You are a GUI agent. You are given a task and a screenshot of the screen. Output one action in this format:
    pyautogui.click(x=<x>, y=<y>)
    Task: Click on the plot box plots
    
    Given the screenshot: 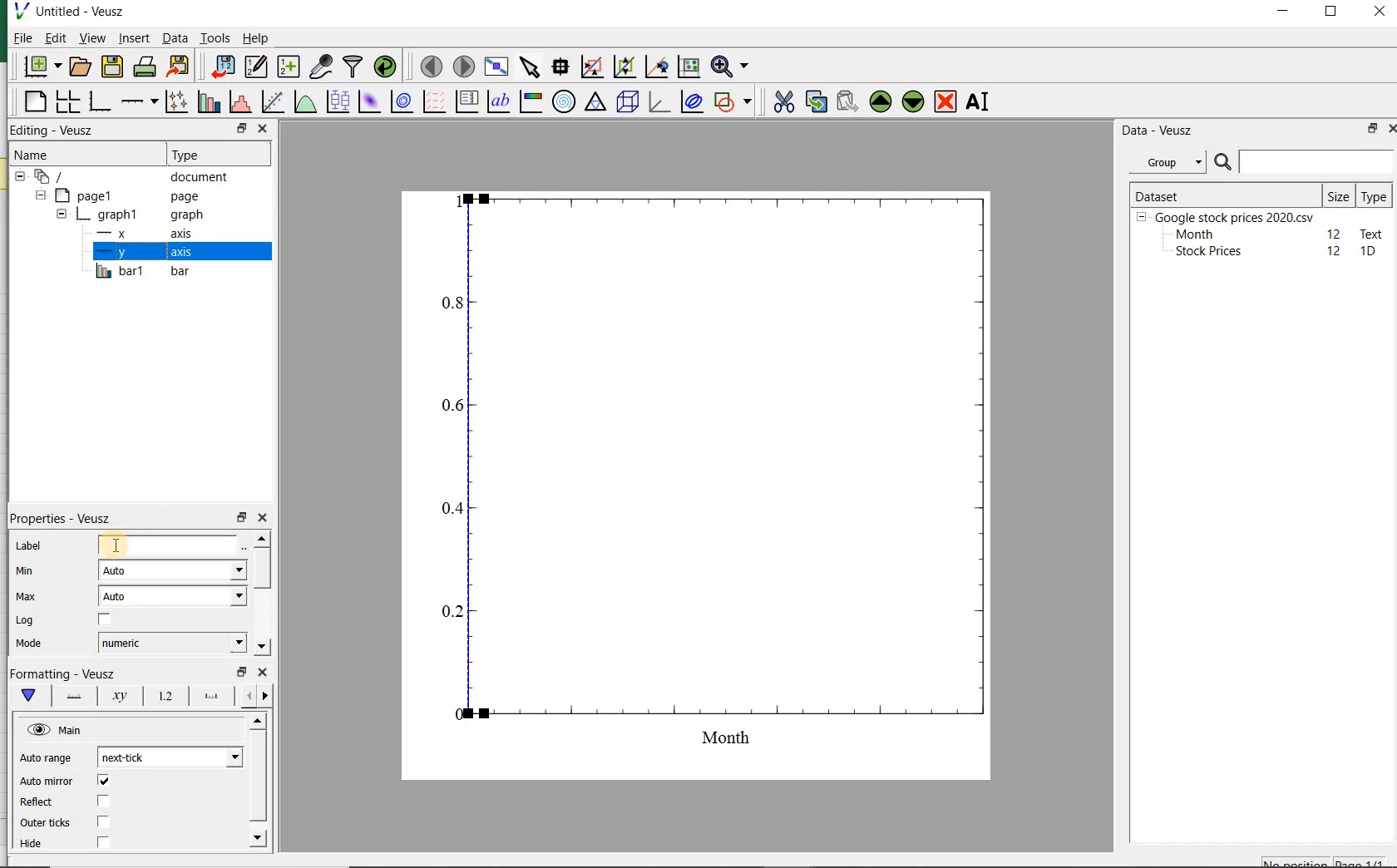 What is the action you would take?
    pyautogui.click(x=335, y=103)
    